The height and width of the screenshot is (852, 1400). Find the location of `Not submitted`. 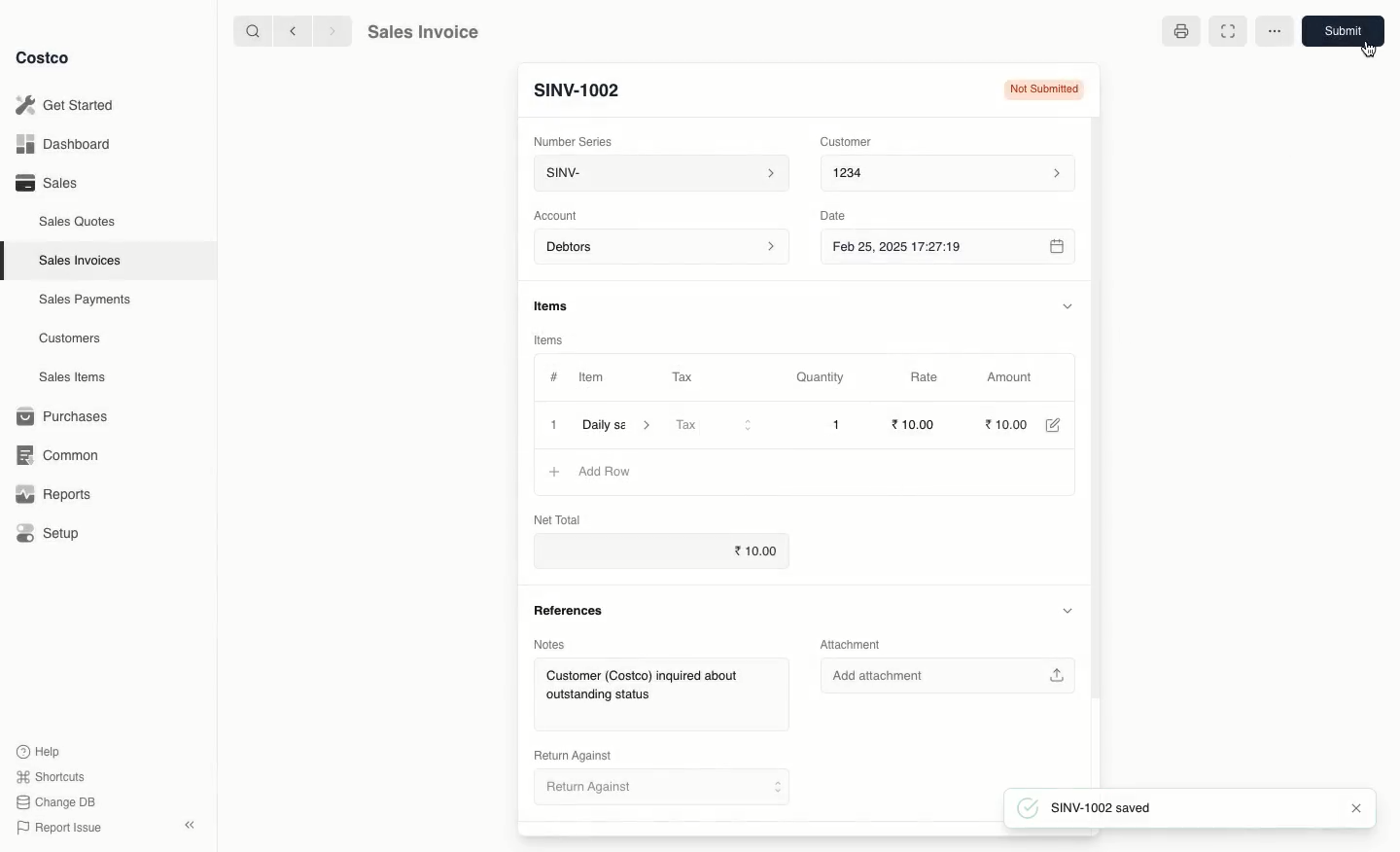

Not submitted is located at coordinates (1040, 89).